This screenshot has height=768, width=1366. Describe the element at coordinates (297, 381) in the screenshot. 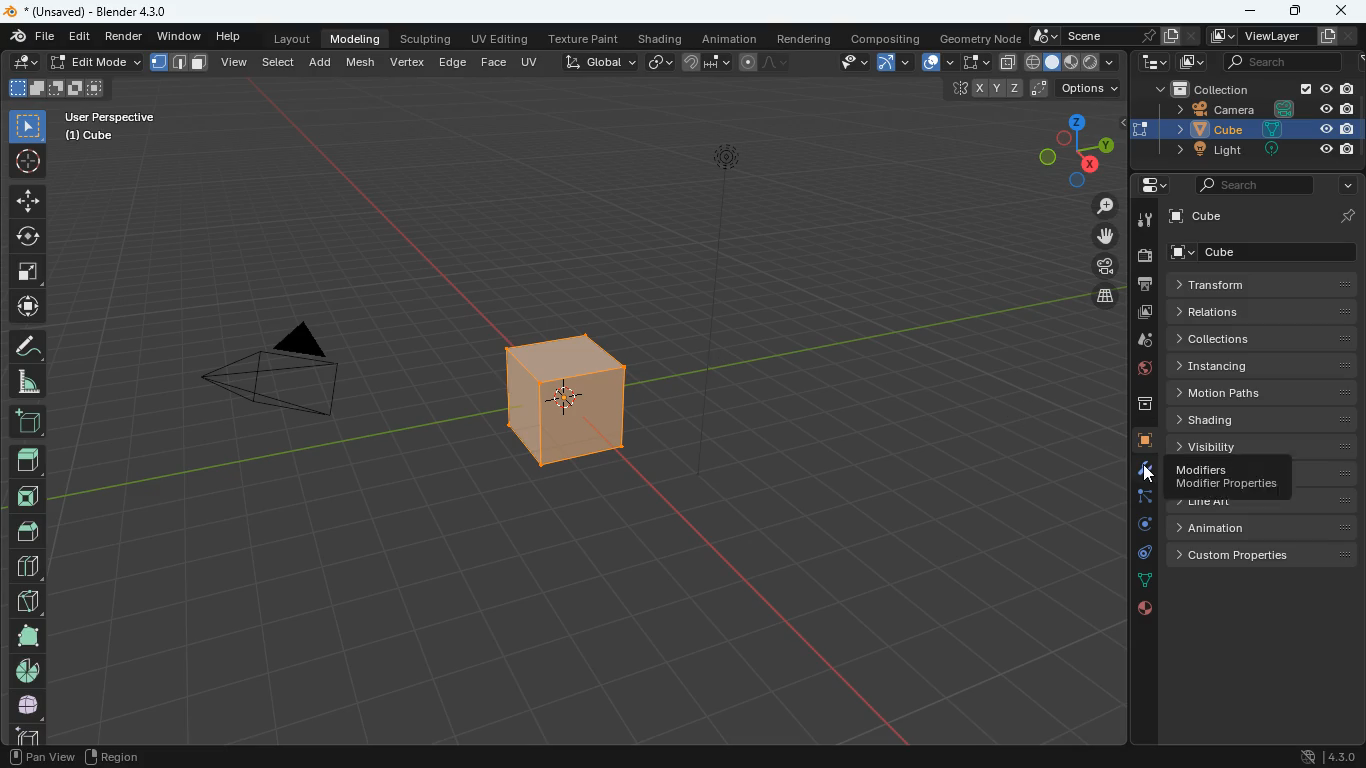

I see `camera` at that location.